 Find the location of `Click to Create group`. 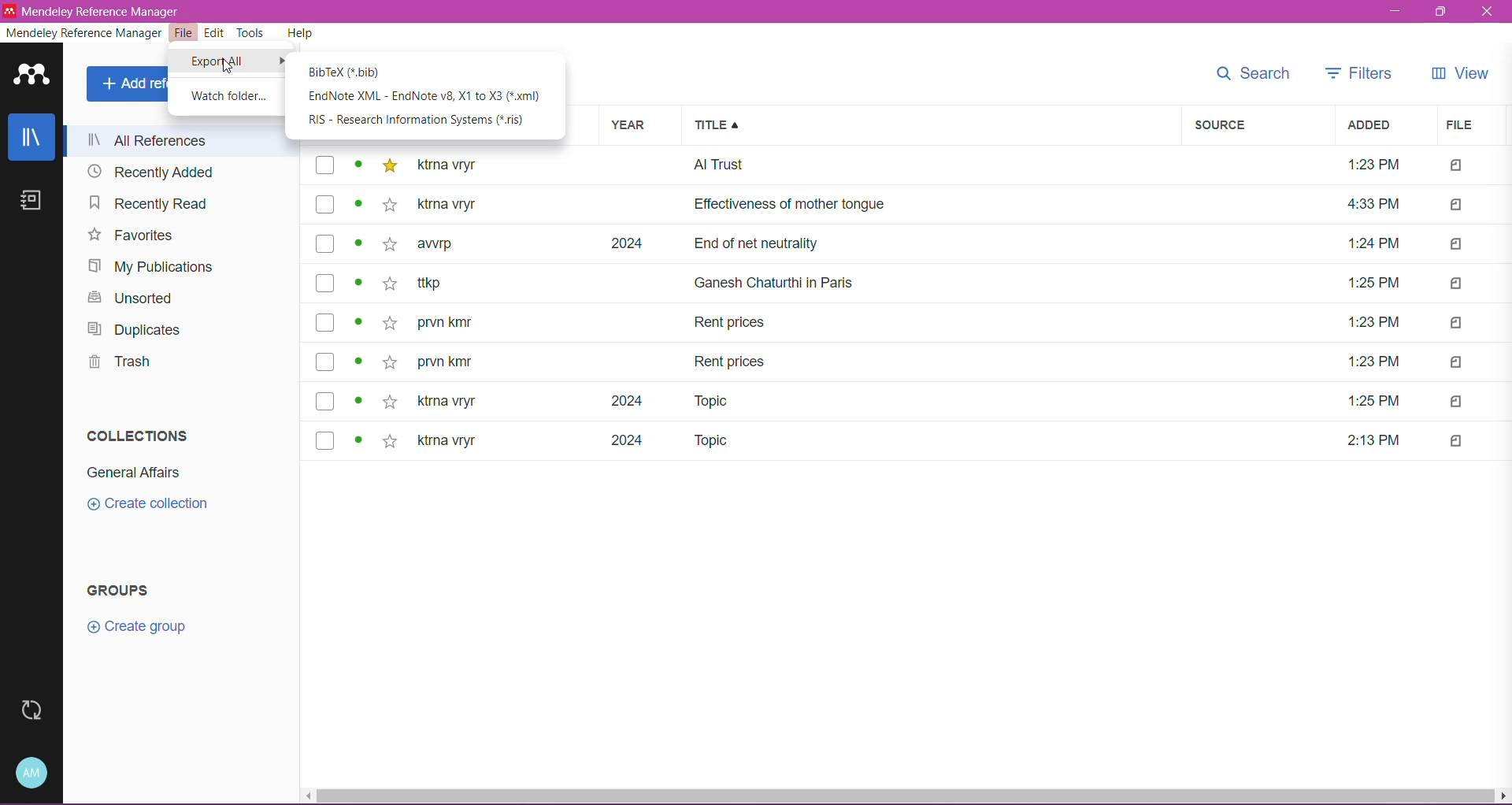

Click to Create group is located at coordinates (135, 629).